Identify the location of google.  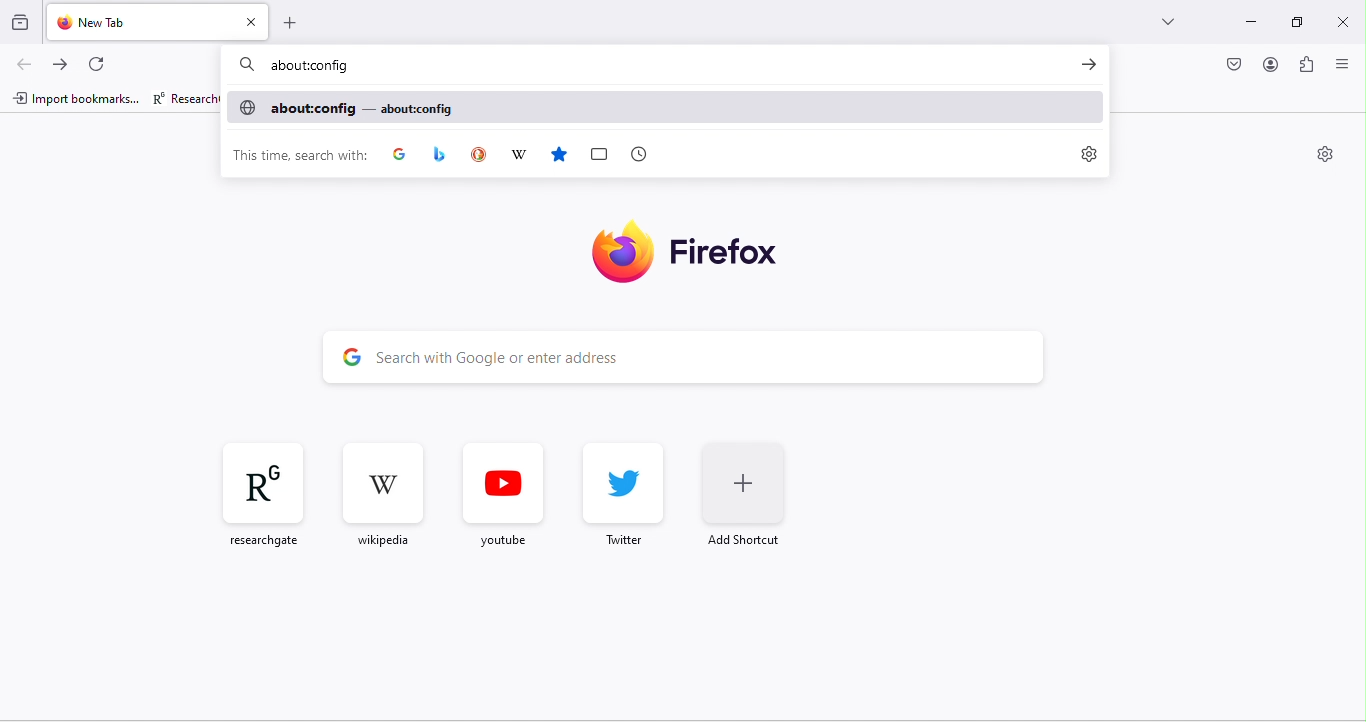
(399, 158).